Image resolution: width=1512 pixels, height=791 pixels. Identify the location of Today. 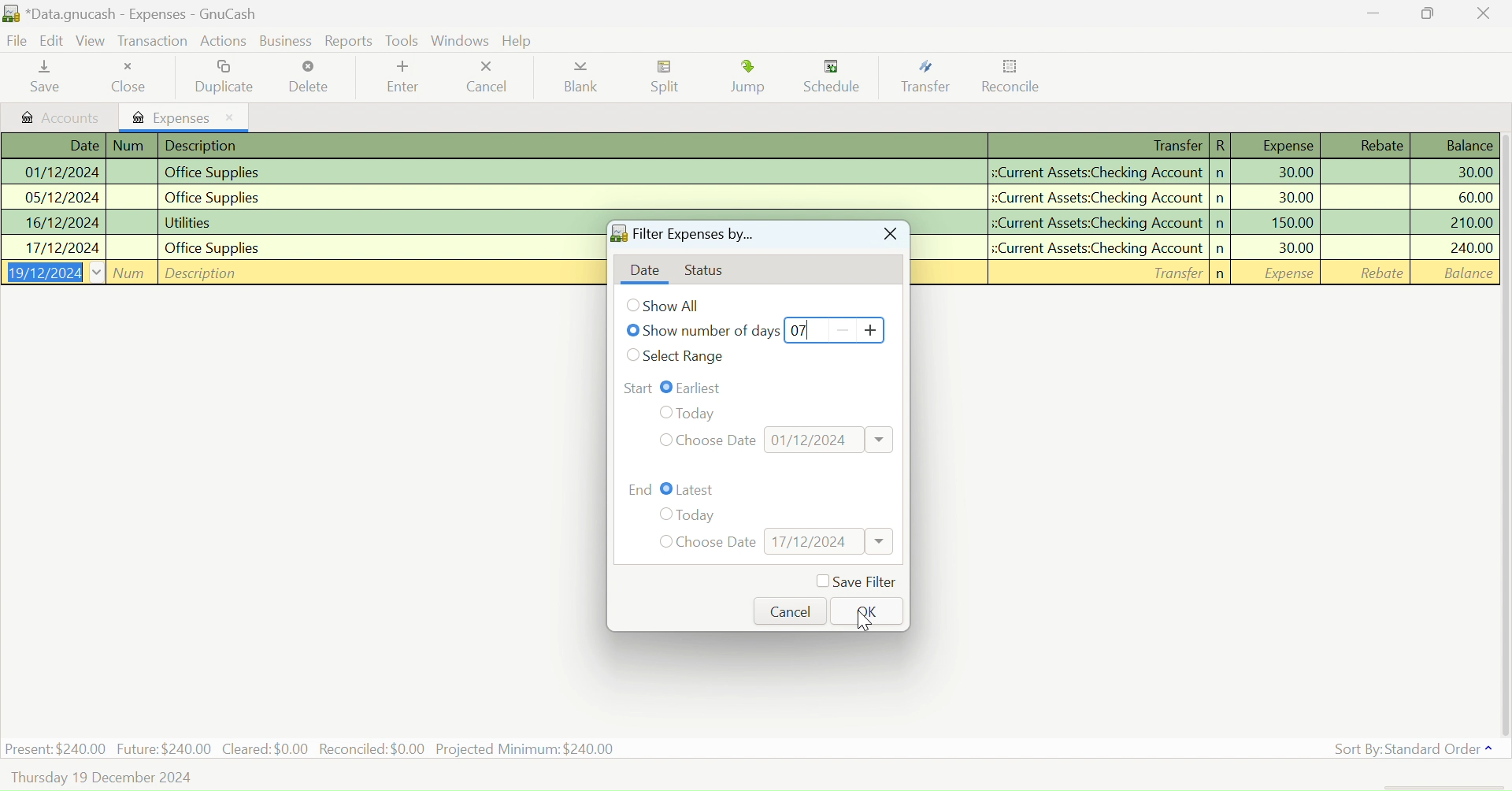
(698, 516).